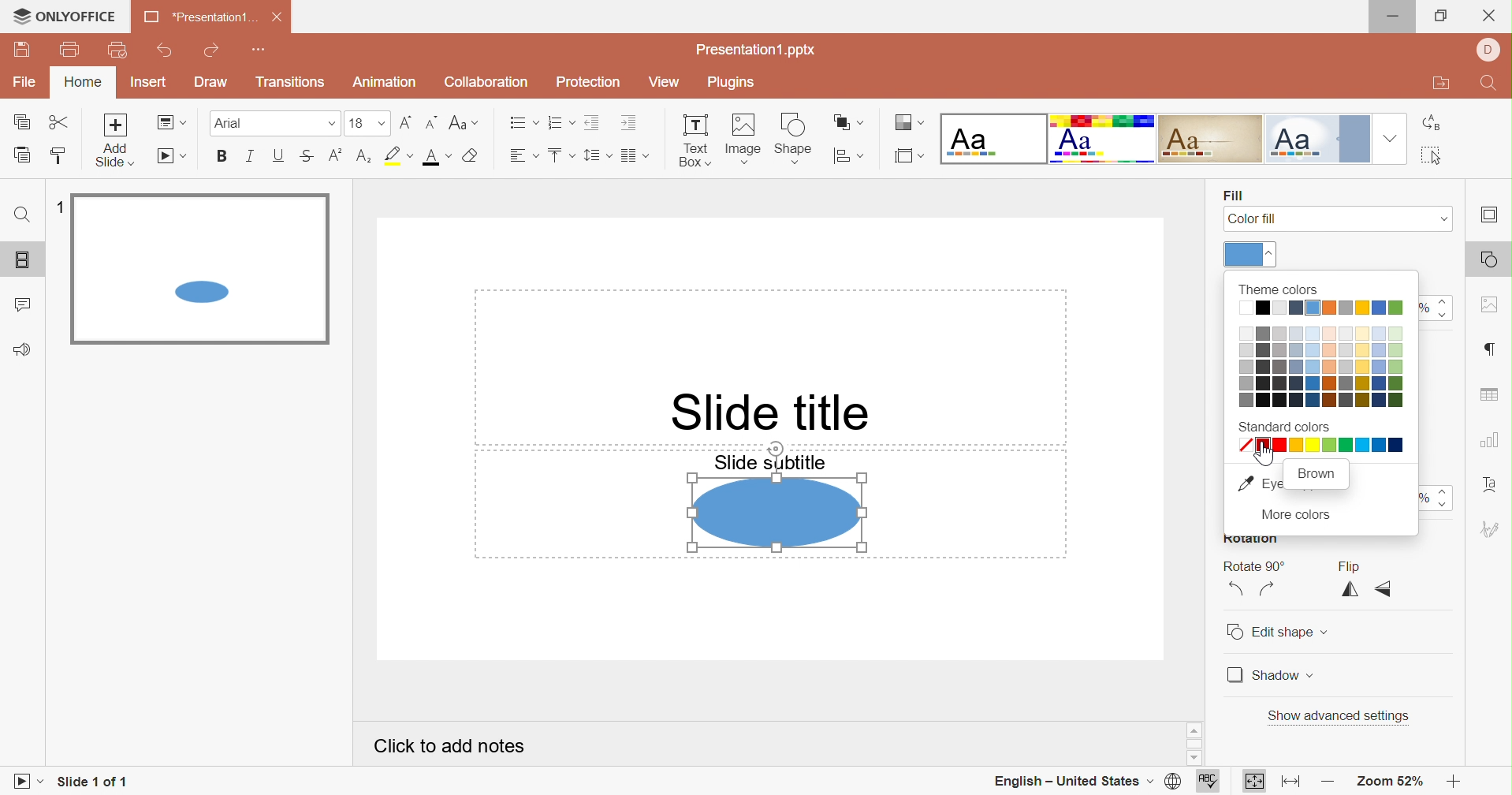 This screenshot has width=1512, height=795. Describe the element at coordinates (58, 121) in the screenshot. I see `Cut` at that location.